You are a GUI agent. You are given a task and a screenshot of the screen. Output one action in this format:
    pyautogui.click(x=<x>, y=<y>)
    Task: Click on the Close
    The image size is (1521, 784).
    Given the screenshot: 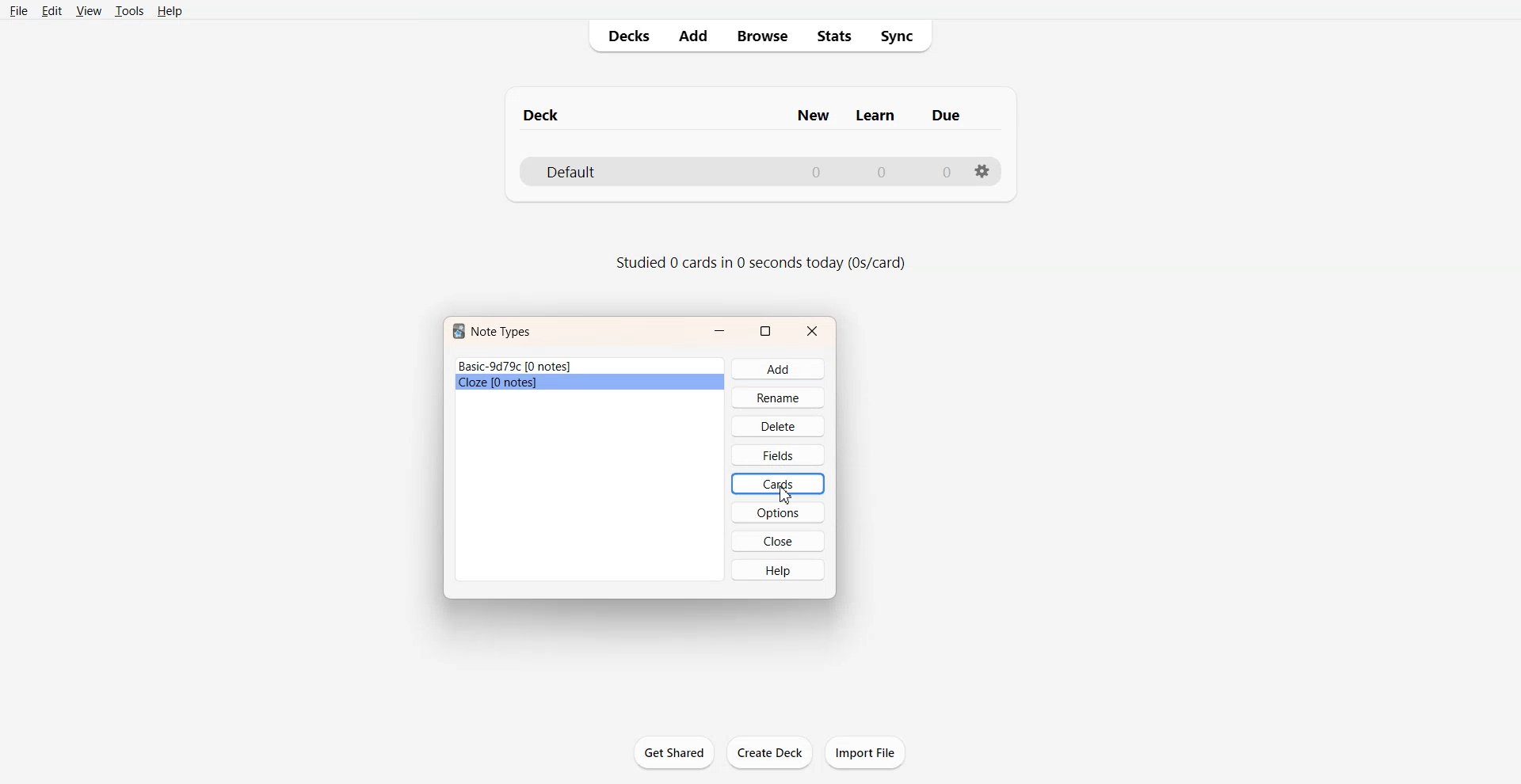 What is the action you would take?
    pyautogui.click(x=778, y=540)
    